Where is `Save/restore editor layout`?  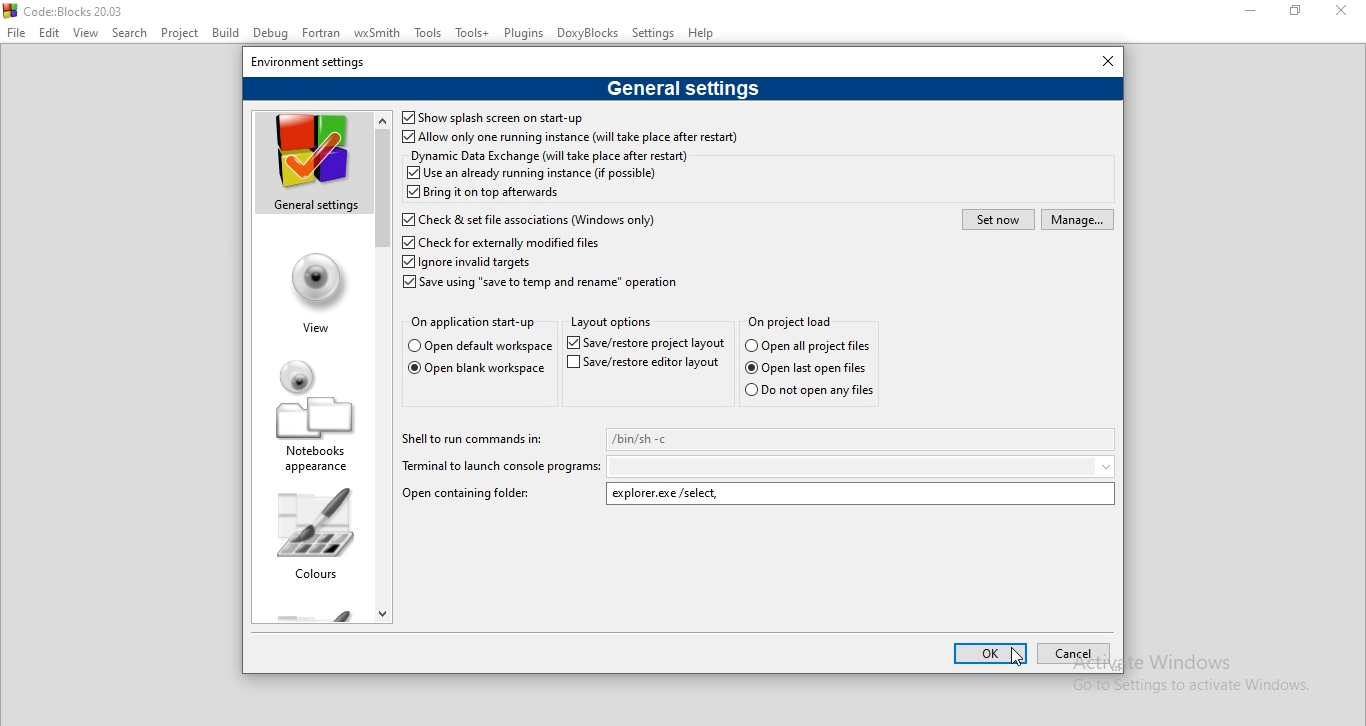 Save/restore editor layout is located at coordinates (644, 342).